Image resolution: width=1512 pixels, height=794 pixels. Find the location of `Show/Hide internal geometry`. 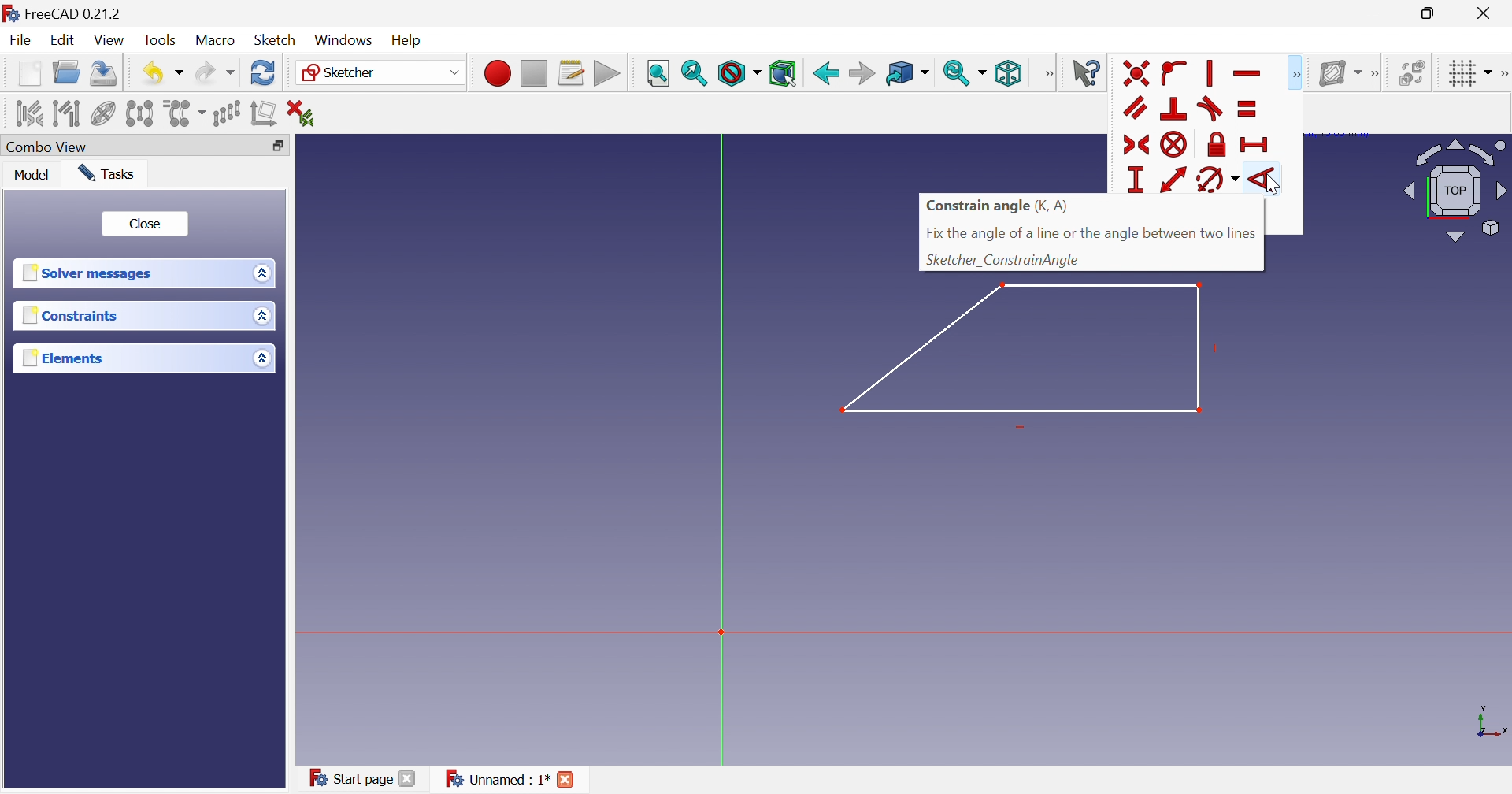

Show/Hide internal geometry is located at coordinates (102, 113).